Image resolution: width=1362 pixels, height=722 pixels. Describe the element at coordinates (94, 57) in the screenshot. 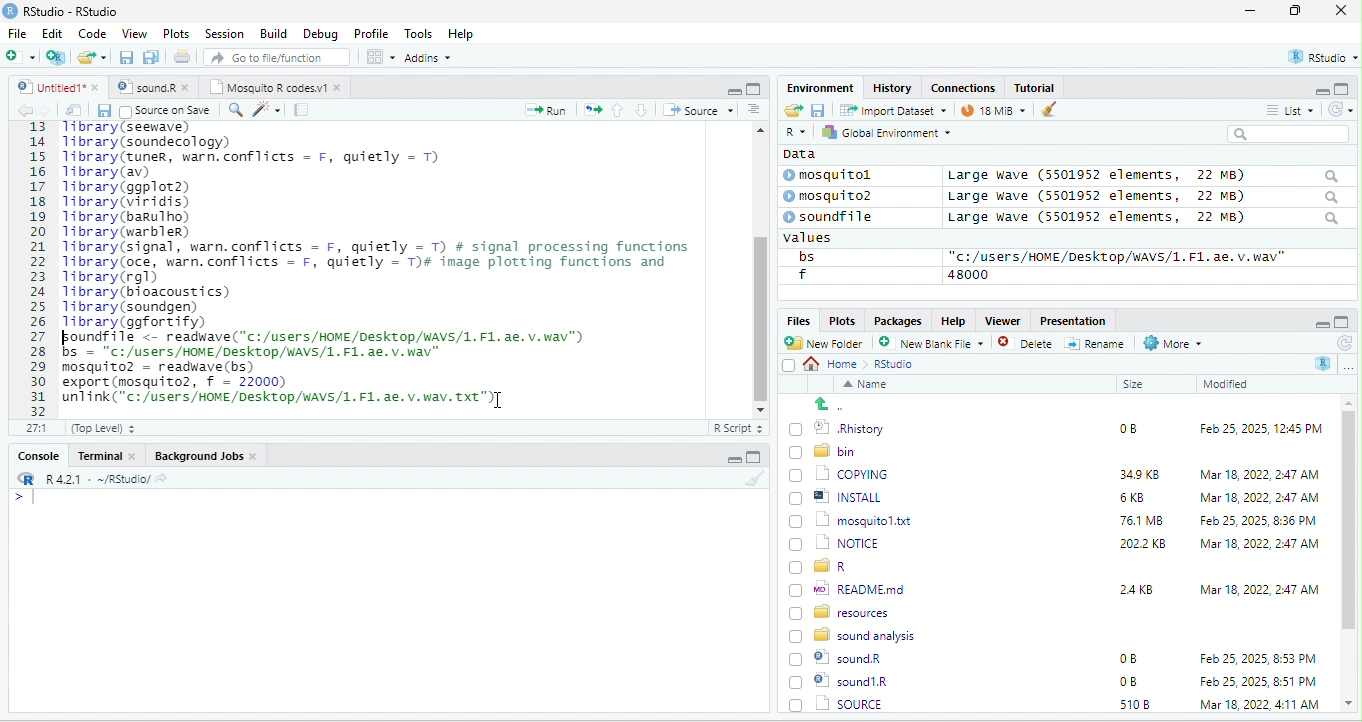

I see `folder` at that location.